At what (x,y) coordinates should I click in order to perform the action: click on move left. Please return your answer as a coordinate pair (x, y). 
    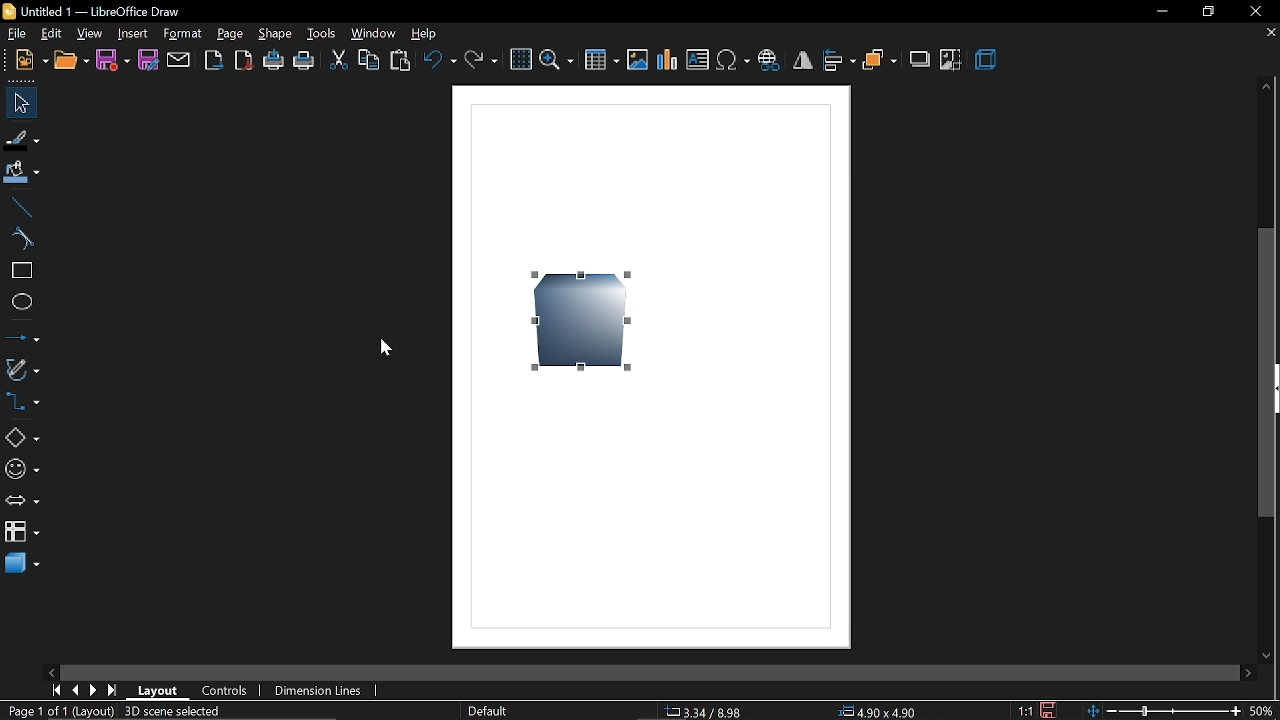
    Looking at the image, I should click on (51, 672).